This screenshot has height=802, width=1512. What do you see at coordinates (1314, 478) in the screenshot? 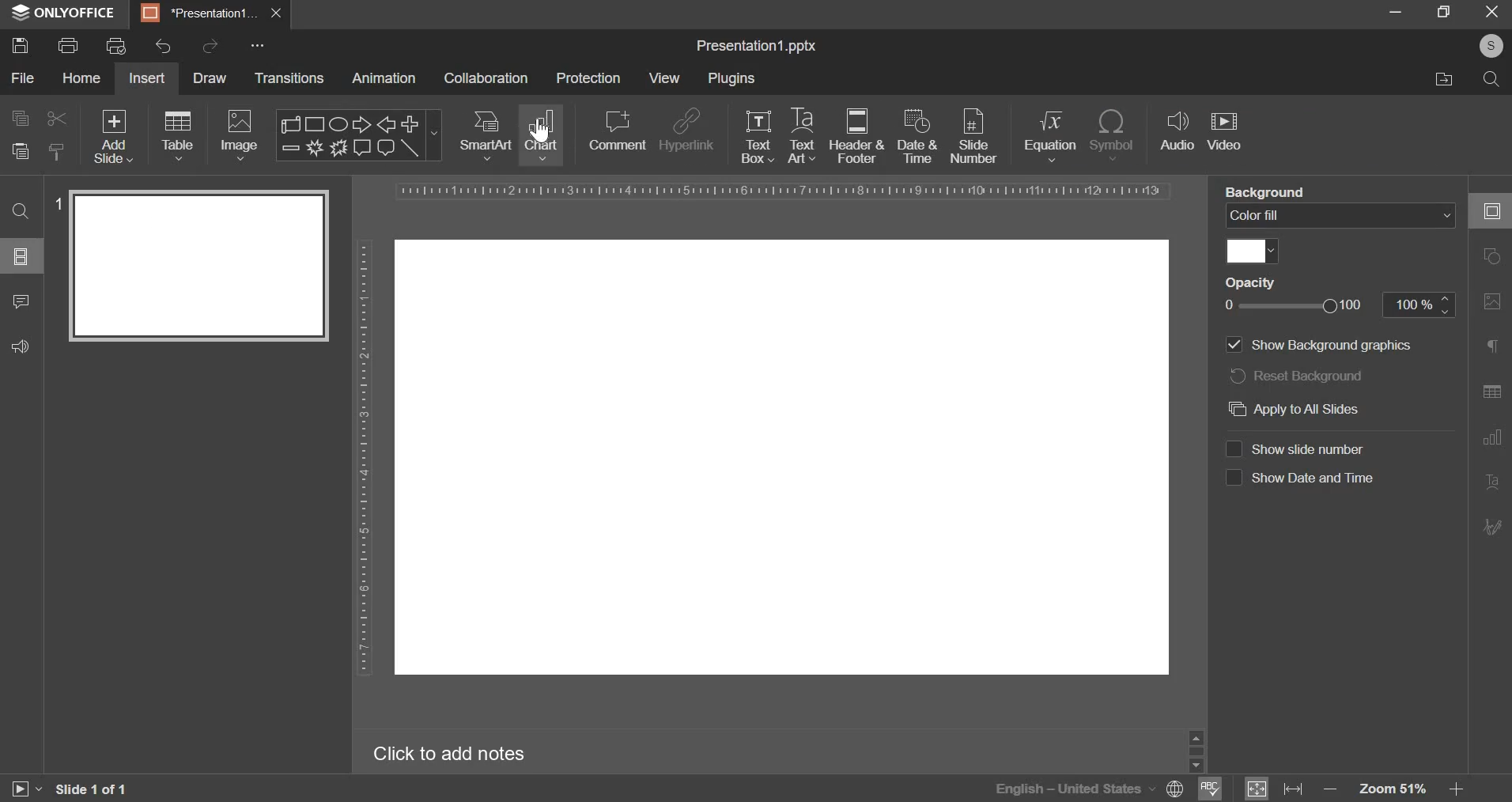
I see `show date & time` at bounding box center [1314, 478].